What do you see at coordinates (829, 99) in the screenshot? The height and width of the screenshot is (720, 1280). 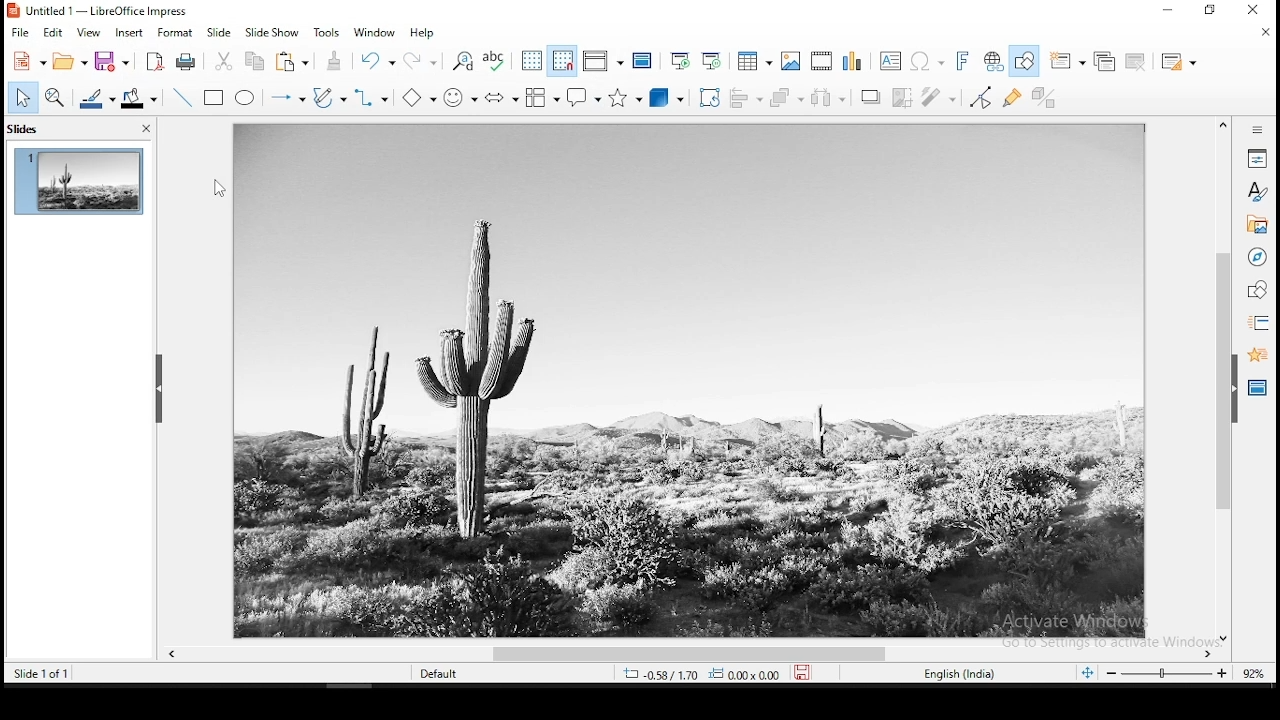 I see `distribute` at bounding box center [829, 99].